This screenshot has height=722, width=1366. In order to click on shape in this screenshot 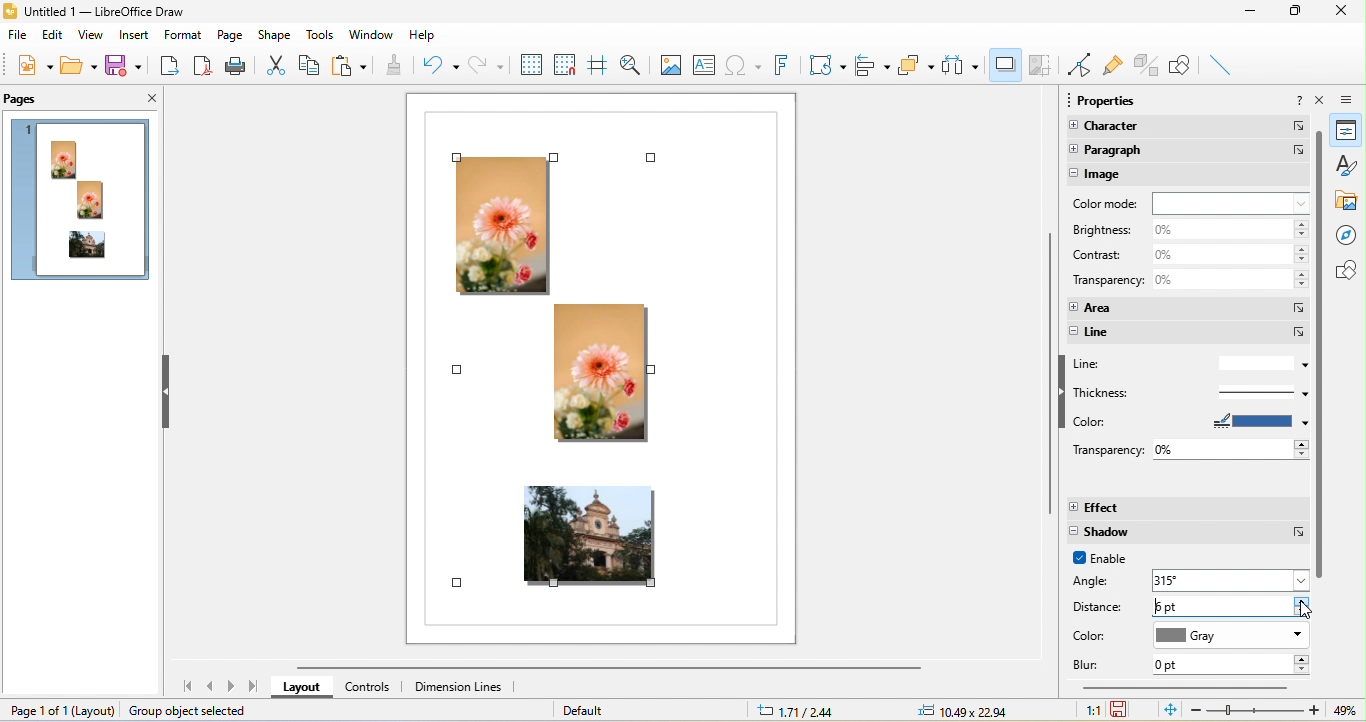, I will do `click(278, 34)`.